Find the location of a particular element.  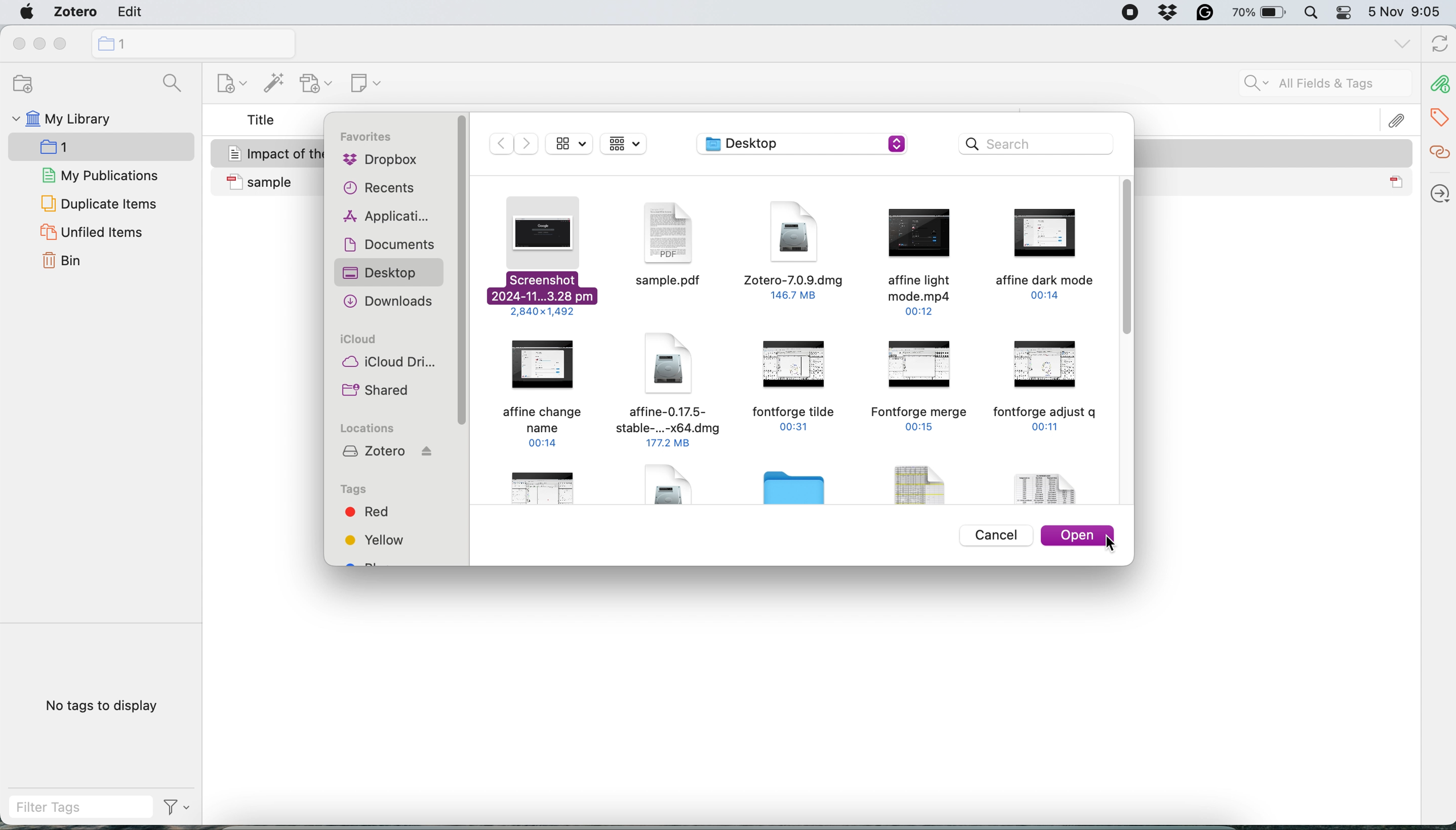

sidebar vertical scroll bar is located at coordinates (462, 272).